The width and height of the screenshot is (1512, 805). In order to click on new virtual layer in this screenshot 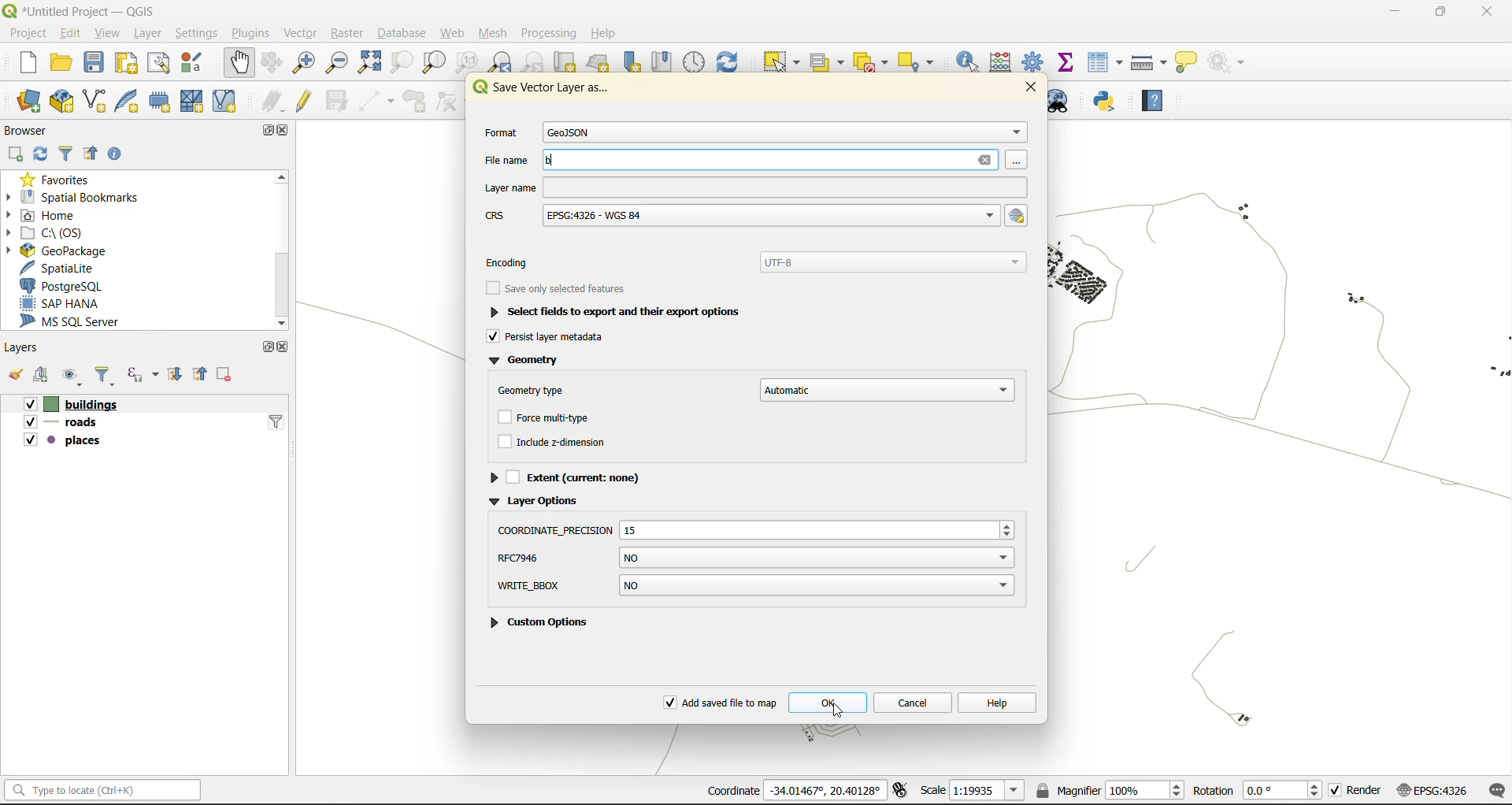, I will do `click(223, 102)`.